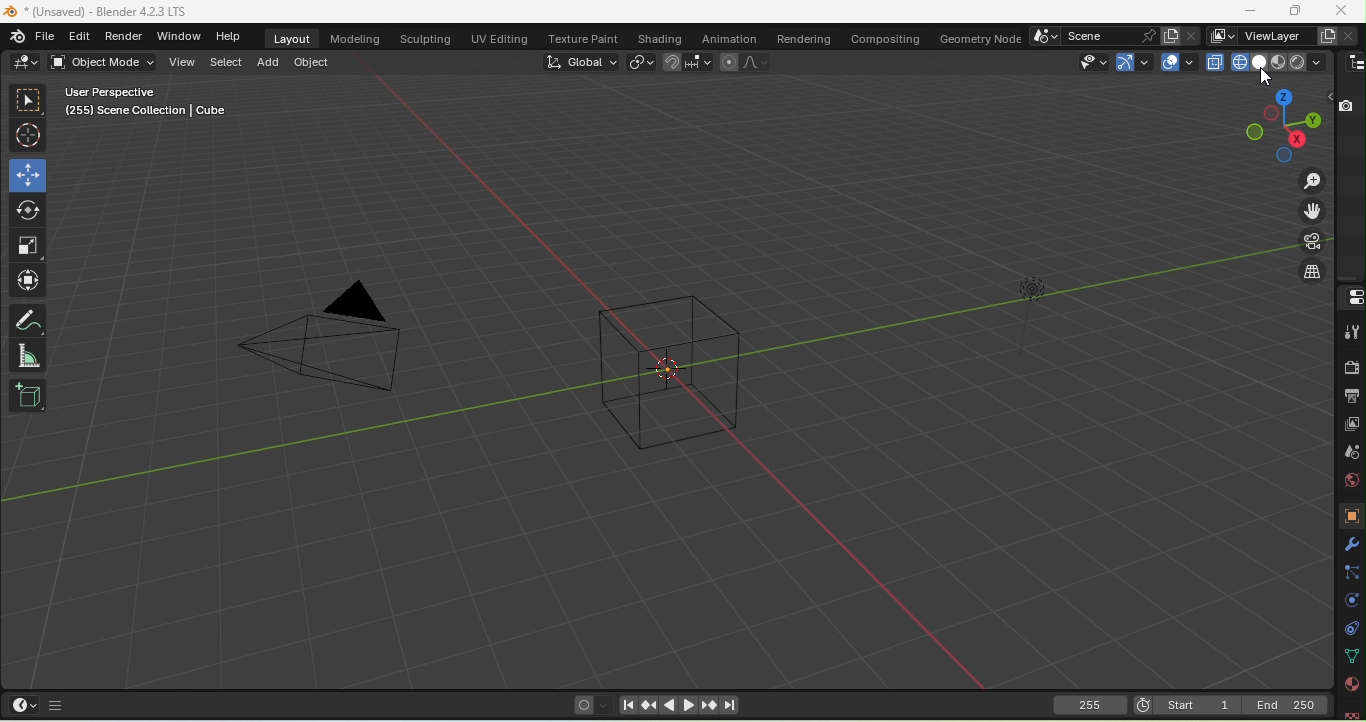 This screenshot has height=722, width=1366. Describe the element at coordinates (1346, 484) in the screenshot. I see `World` at that location.